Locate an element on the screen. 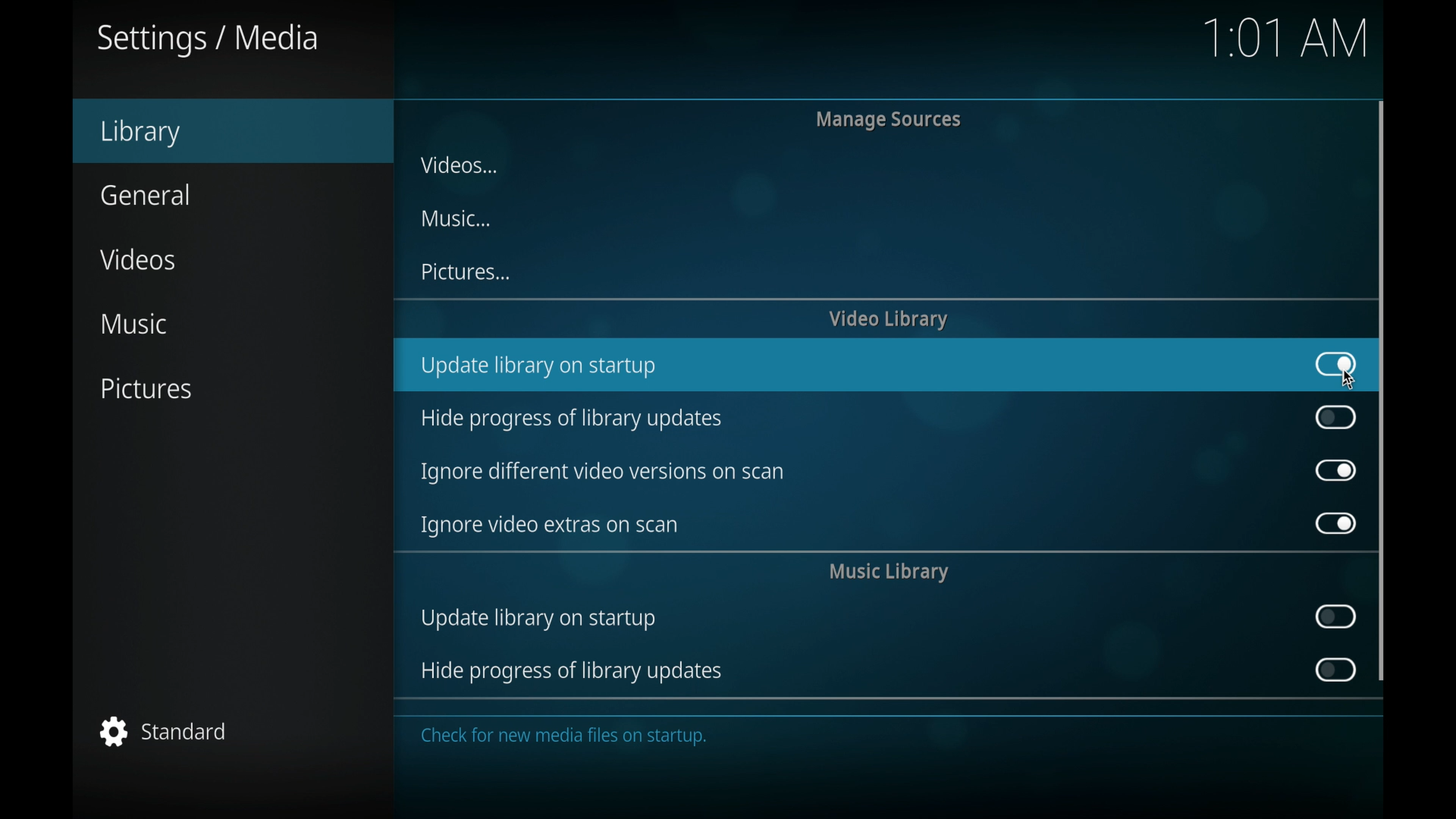 The image size is (1456, 819). music is located at coordinates (133, 325).